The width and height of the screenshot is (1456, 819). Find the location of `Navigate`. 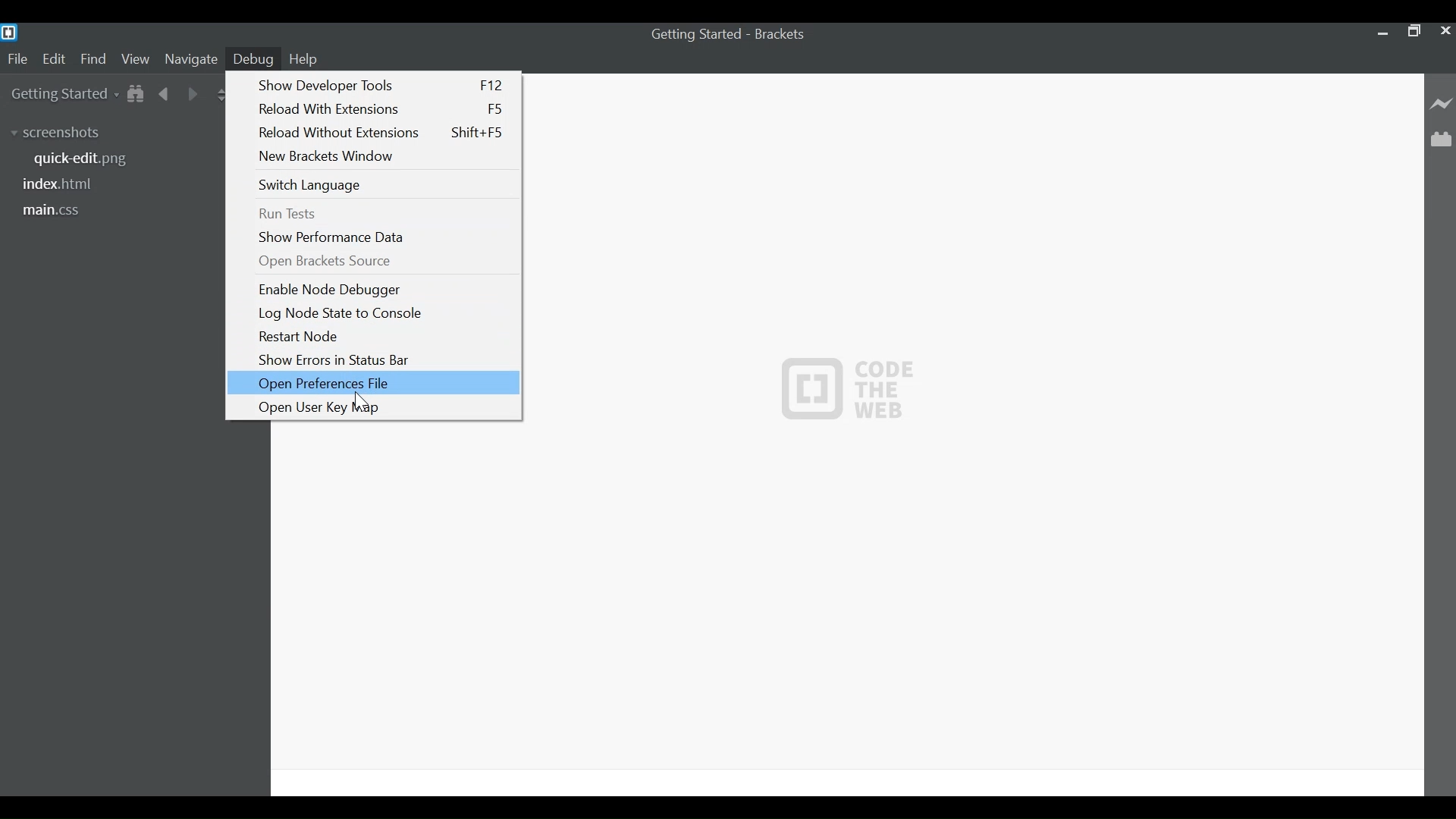

Navigate is located at coordinates (192, 58).